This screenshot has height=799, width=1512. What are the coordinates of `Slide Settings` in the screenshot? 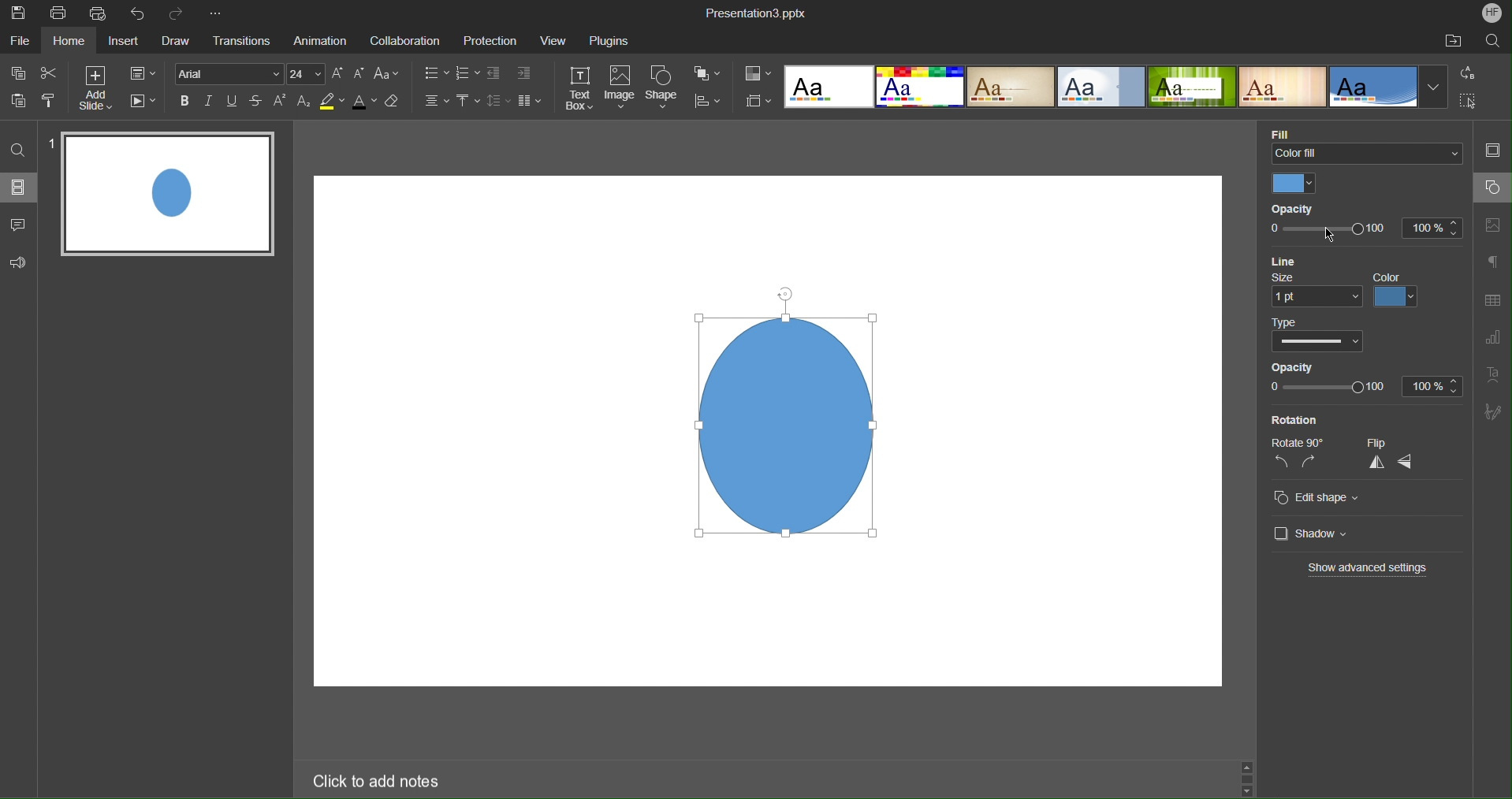 It's located at (1494, 147).